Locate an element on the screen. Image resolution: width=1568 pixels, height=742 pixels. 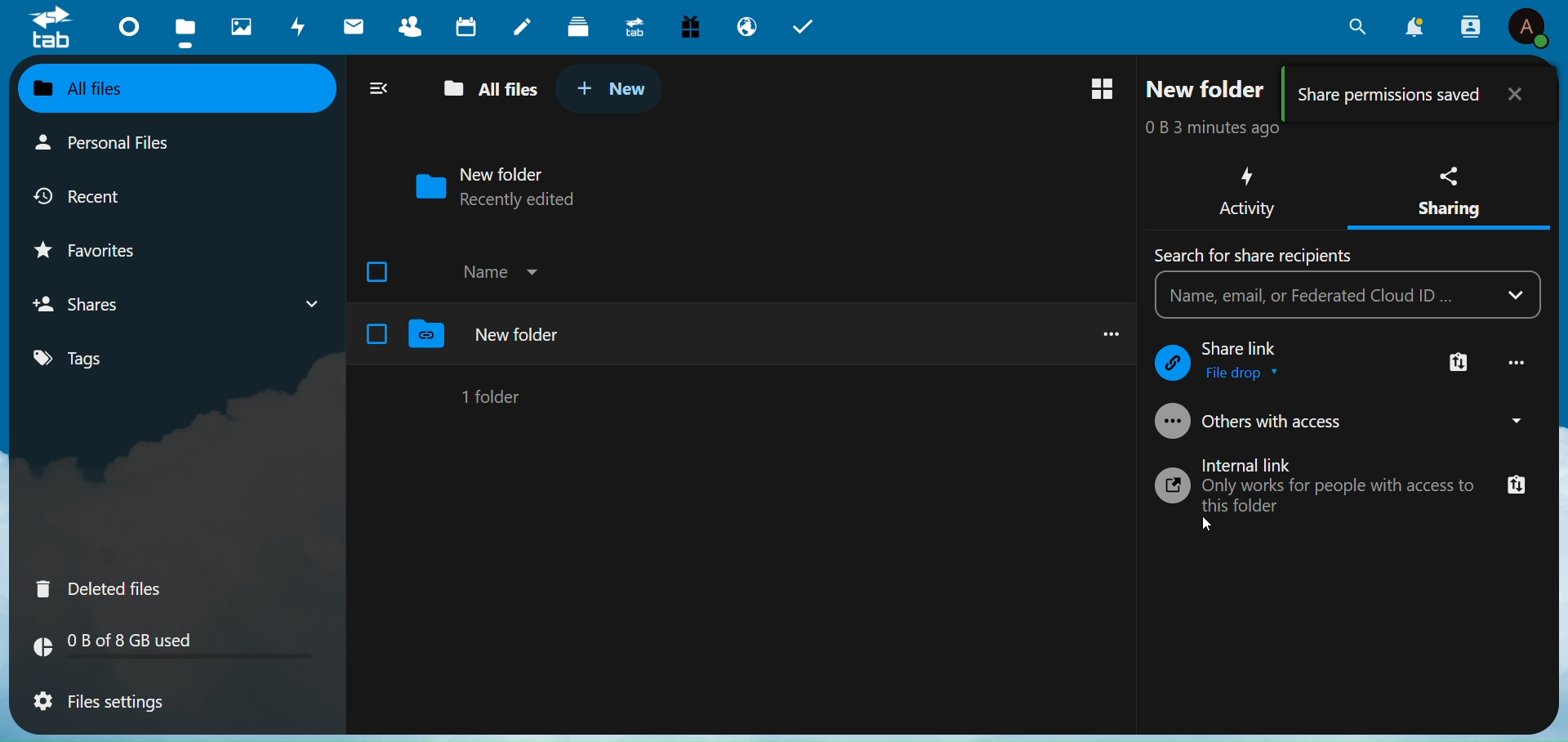
Folder Logo is located at coordinates (428, 335).